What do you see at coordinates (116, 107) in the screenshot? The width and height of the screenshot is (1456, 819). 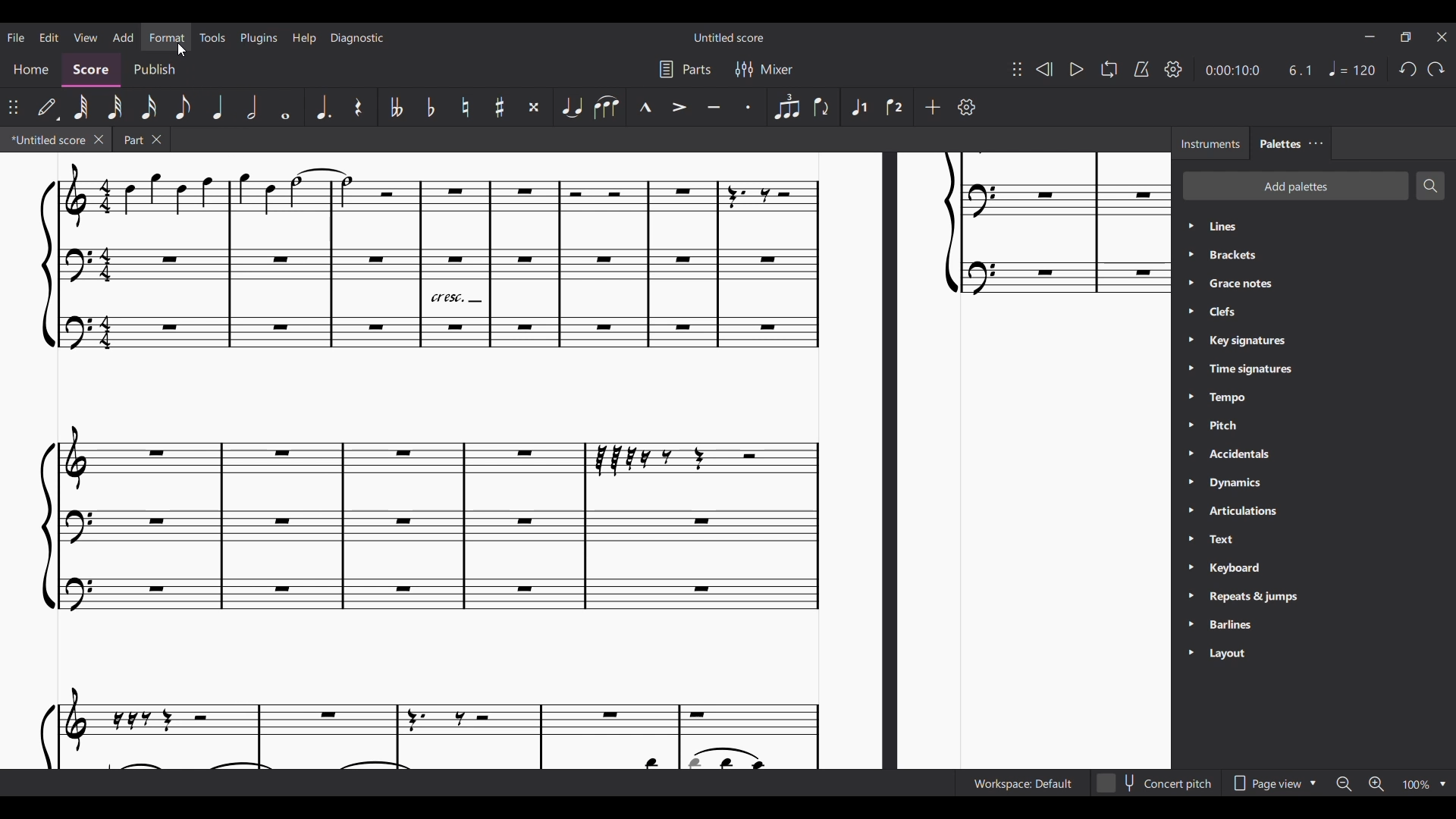 I see `32nd note` at bounding box center [116, 107].